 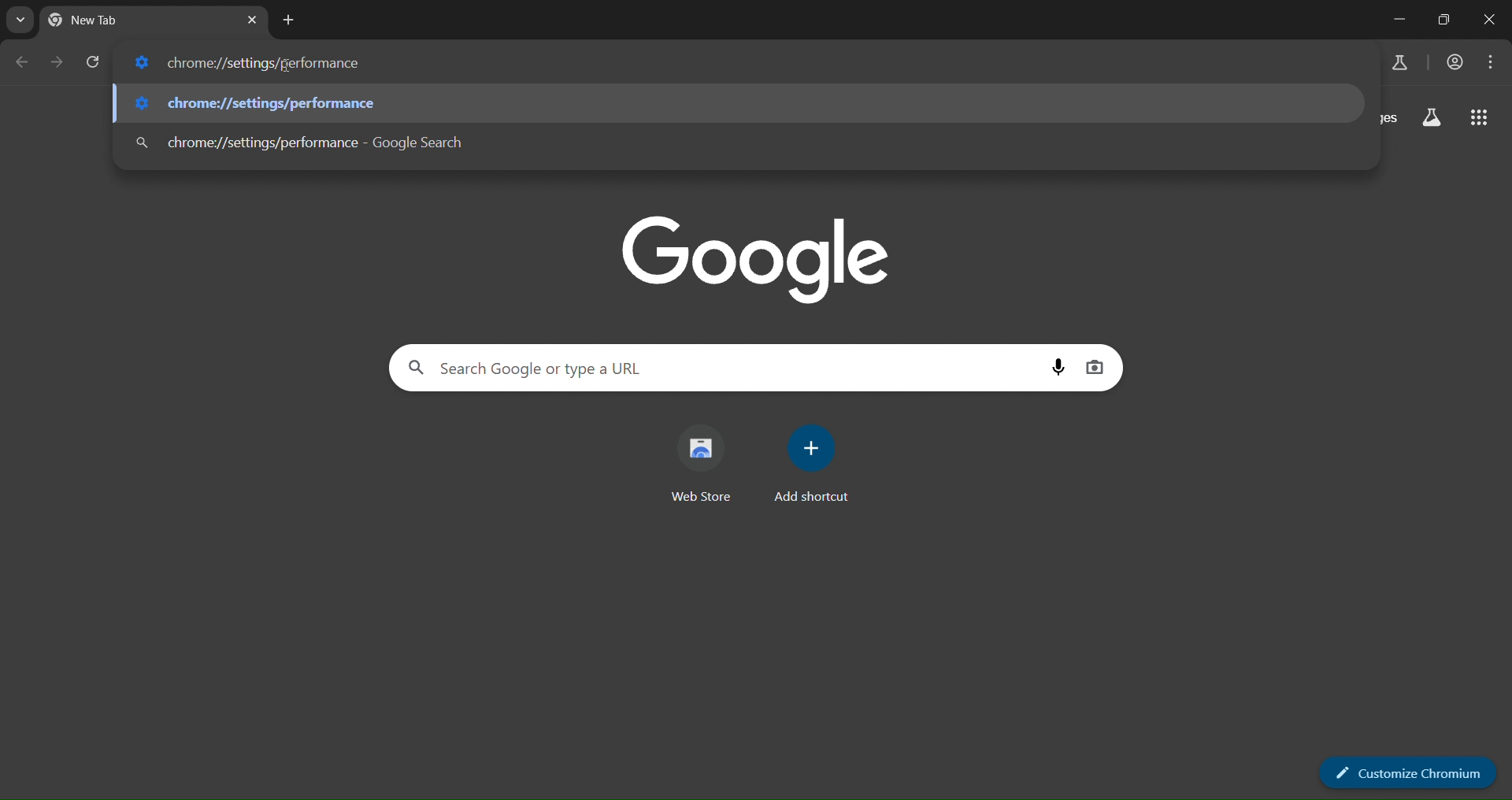 I want to click on Google, so click(x=762, y=260).